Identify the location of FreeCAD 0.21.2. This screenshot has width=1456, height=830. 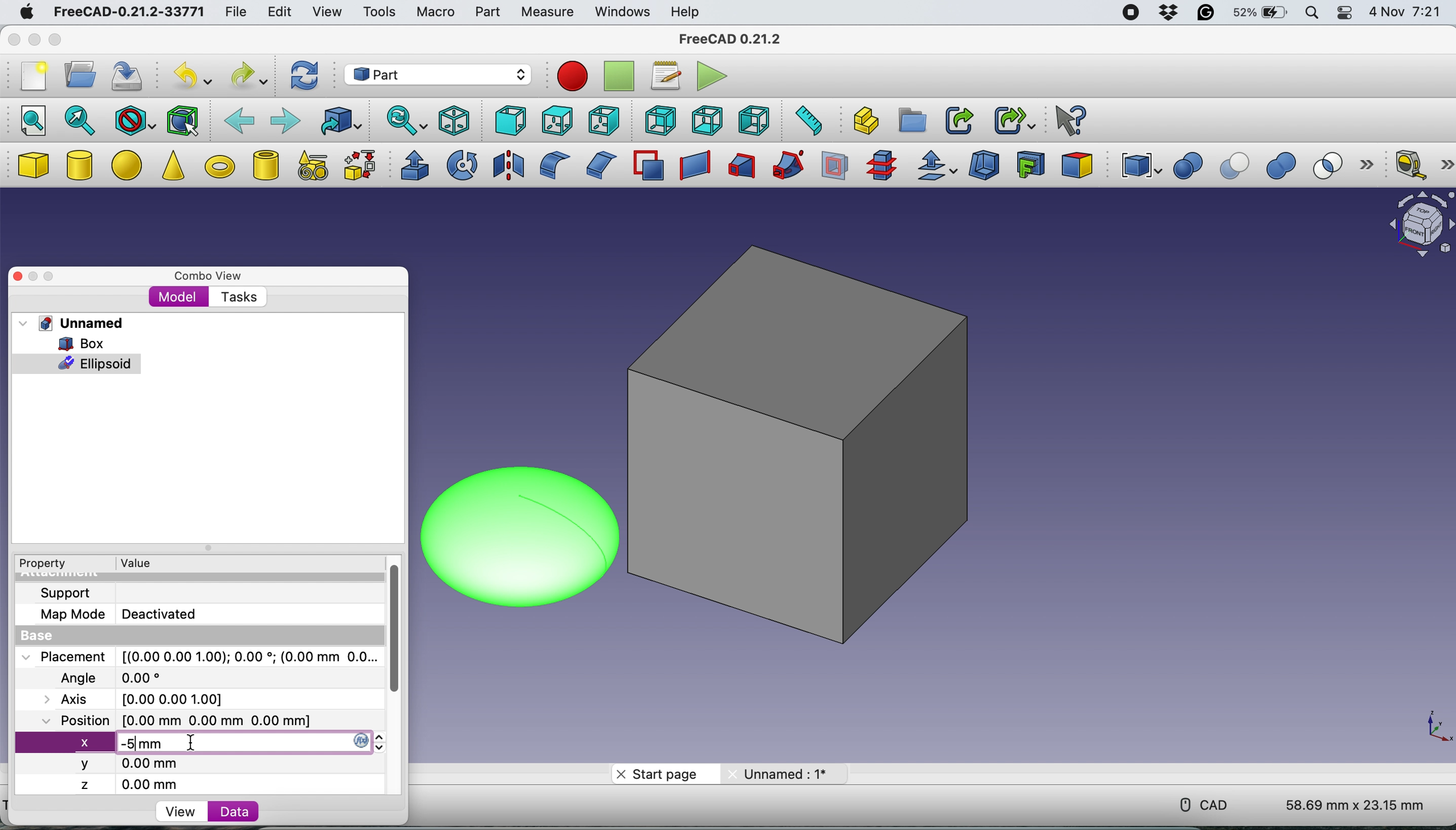
(731, 39).